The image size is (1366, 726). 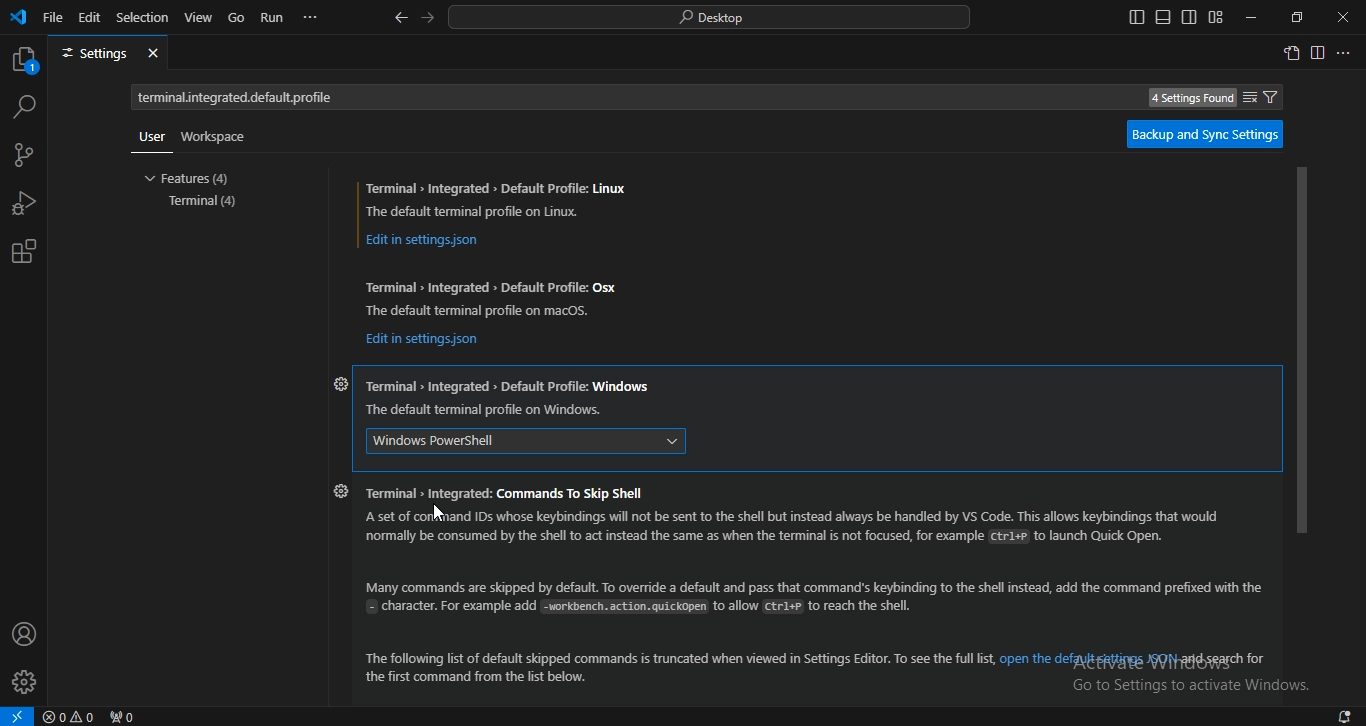 What do you see at coordinates (1194, 98) in the screenshot?
I see `4 Settings Found` at bounding box center [1194, 98].